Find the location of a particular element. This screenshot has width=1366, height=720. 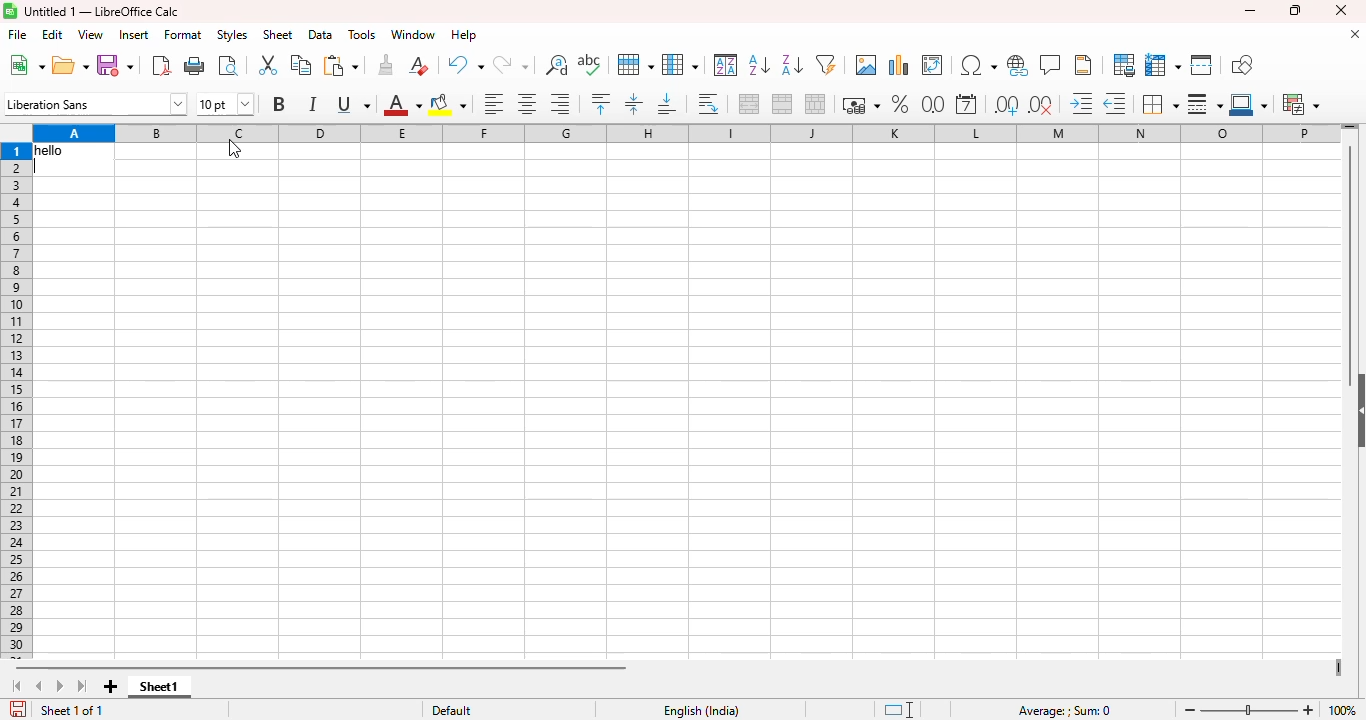

tools is located at coordinates (362, 35).